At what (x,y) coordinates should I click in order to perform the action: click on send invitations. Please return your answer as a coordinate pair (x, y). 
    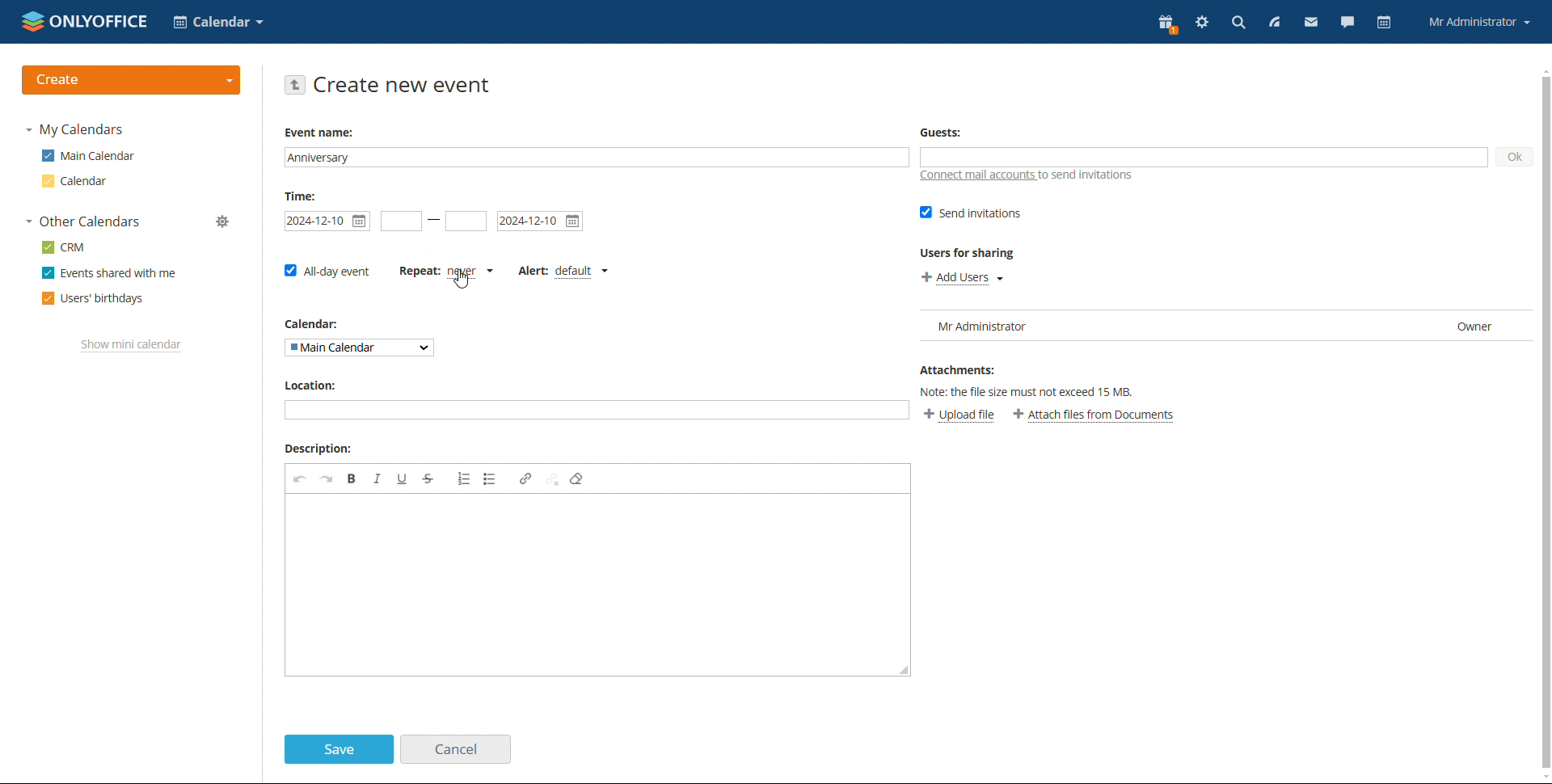
    Looking at the image, I should click on (972, 213).